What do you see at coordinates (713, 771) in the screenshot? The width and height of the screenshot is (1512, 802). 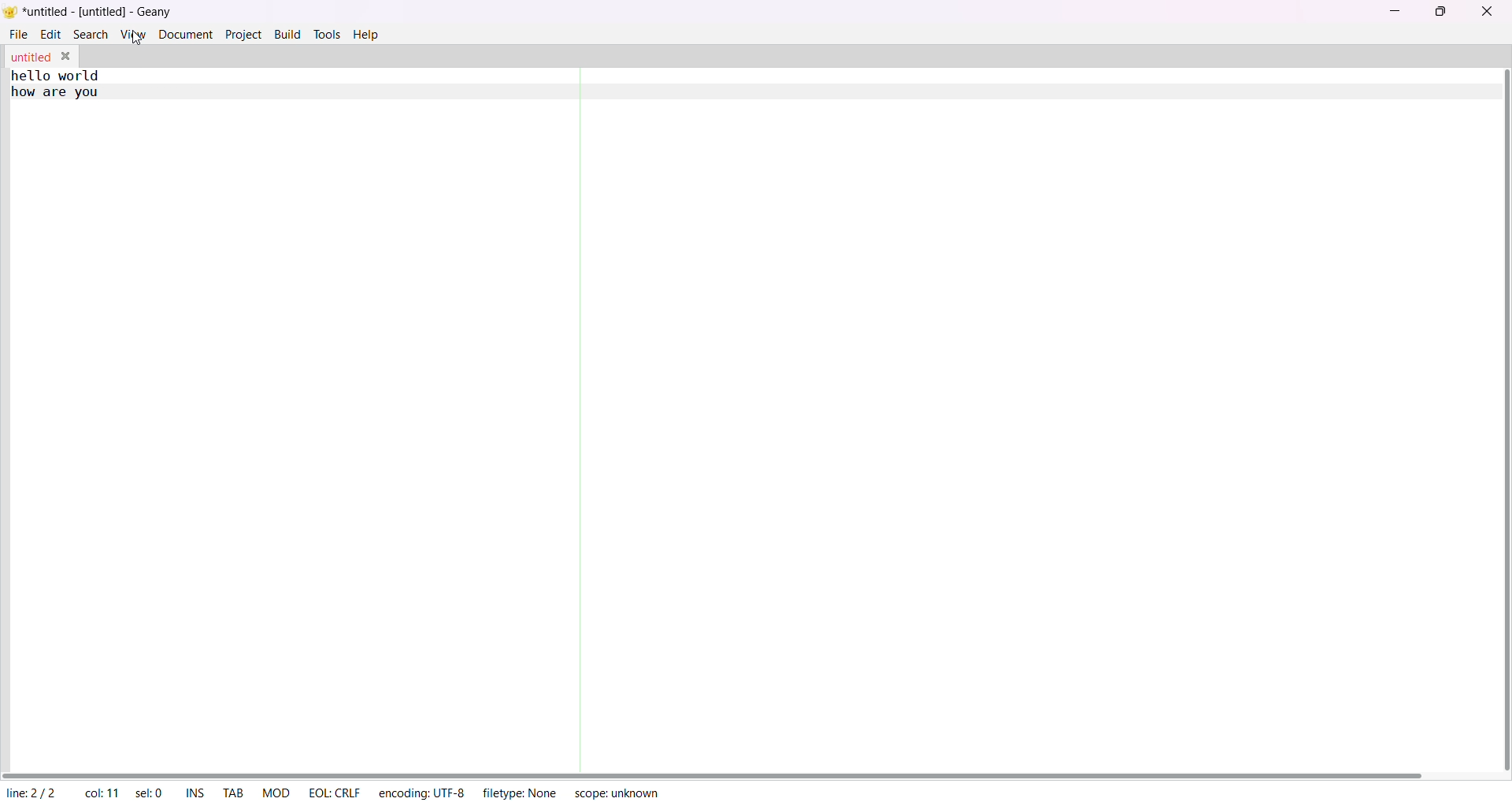 I see `horizontal scroll bar` at bounding box center [713, 771].